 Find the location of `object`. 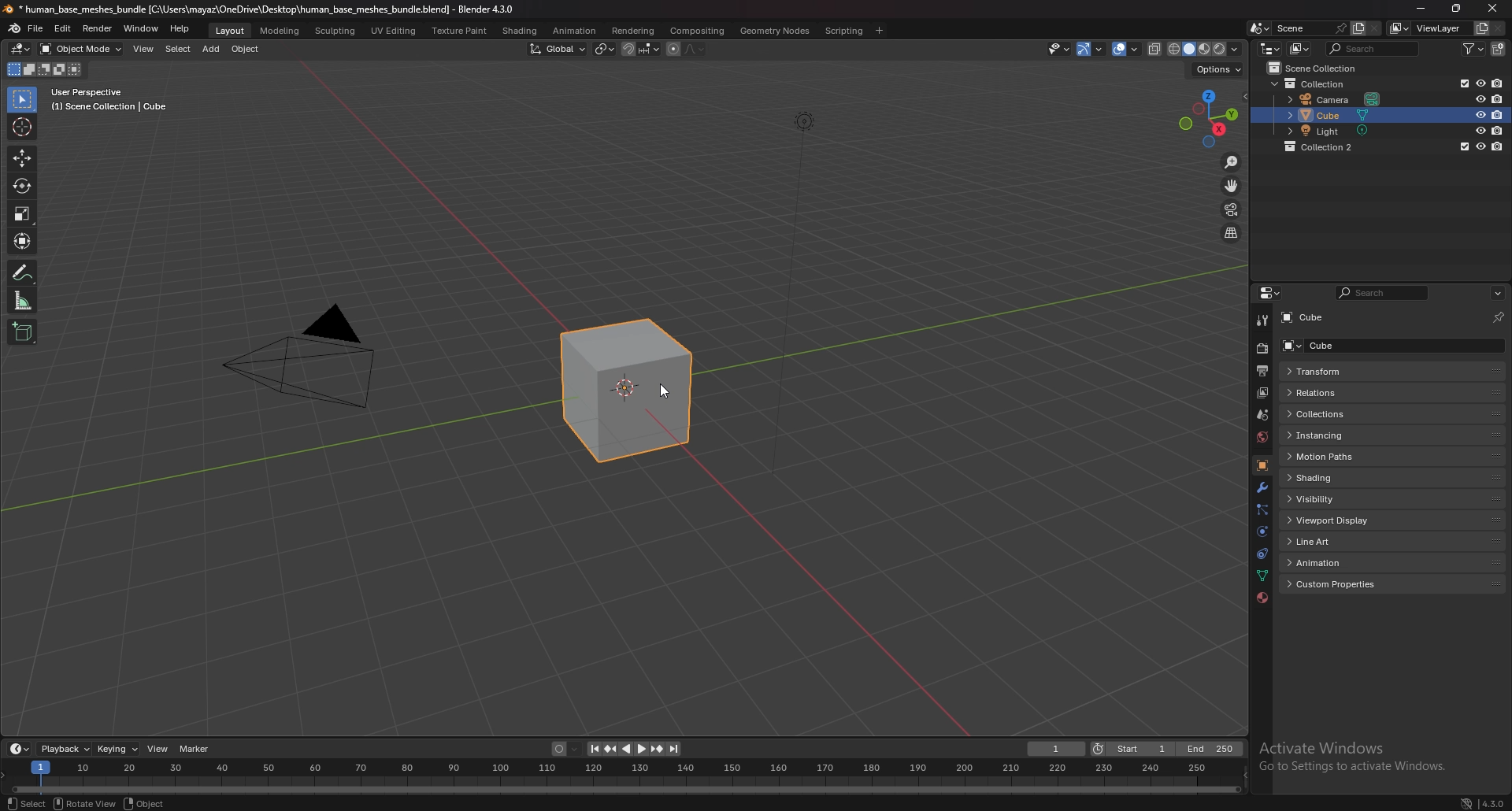

object is located at coordinates (246, 49).